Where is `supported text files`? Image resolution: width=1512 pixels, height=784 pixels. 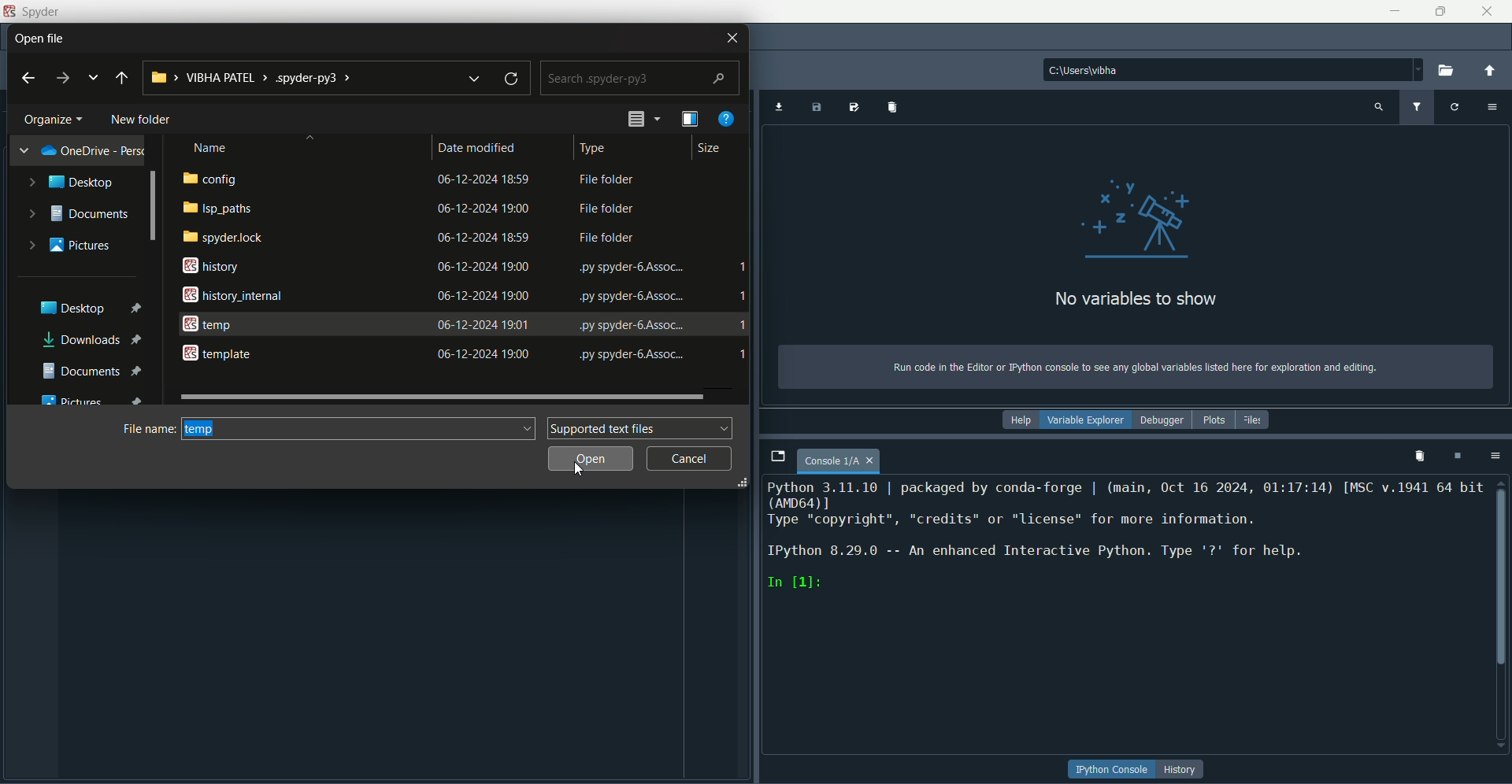 supported text files is located at coordinates (642, 427).